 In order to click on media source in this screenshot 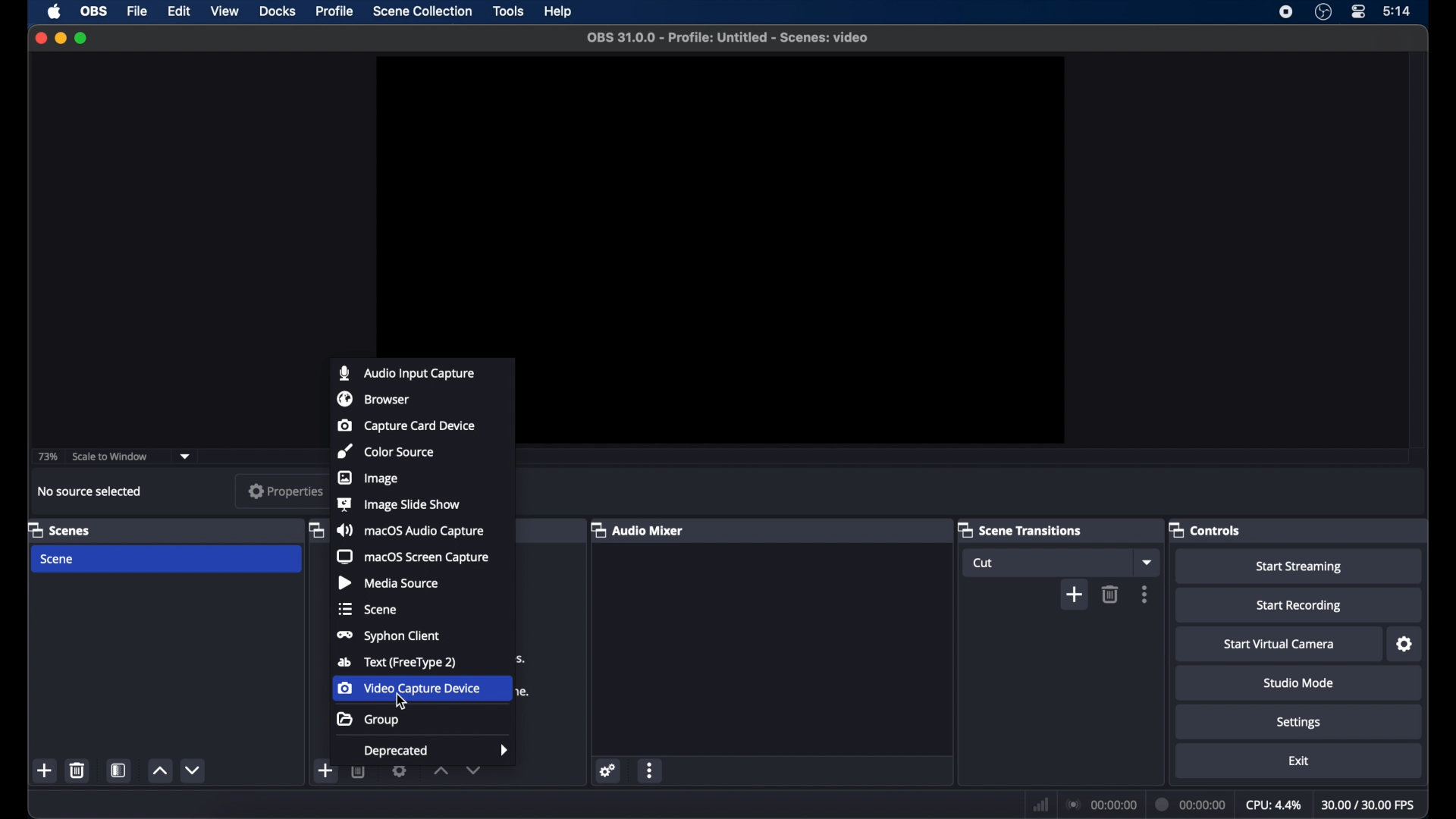, I will do `click(388, 582)`.